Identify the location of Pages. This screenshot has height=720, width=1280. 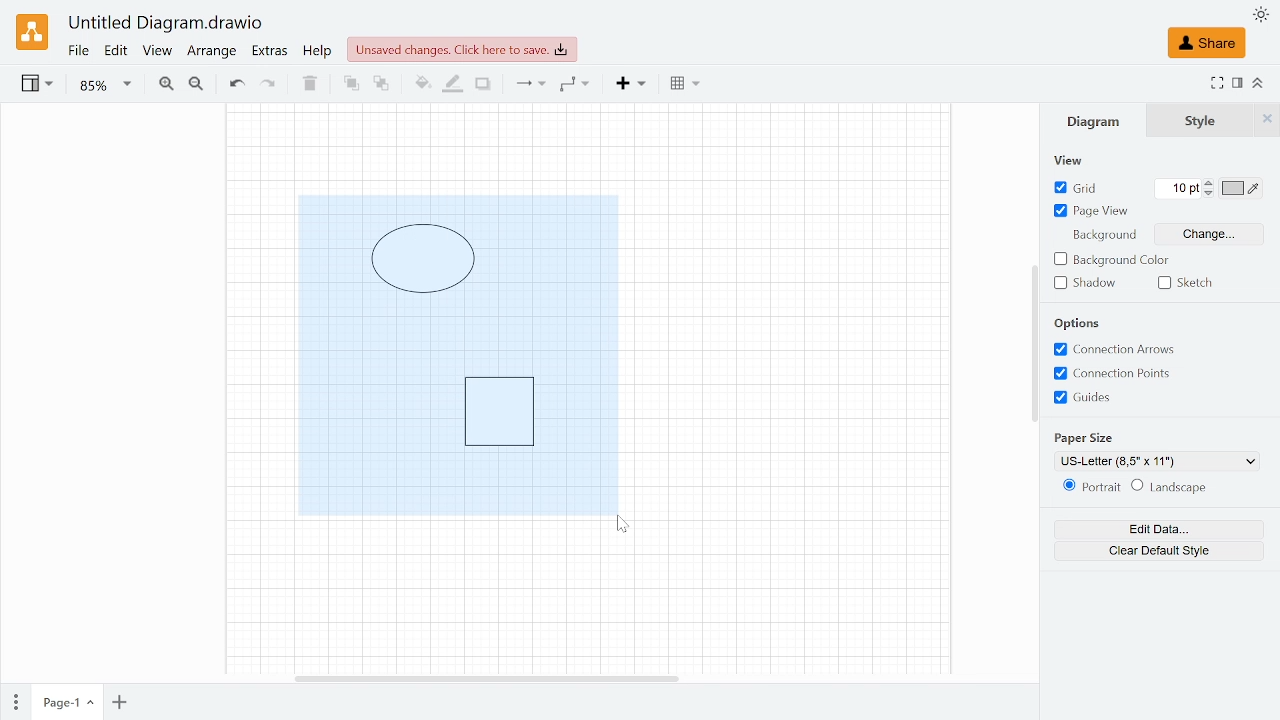
(14, 700).